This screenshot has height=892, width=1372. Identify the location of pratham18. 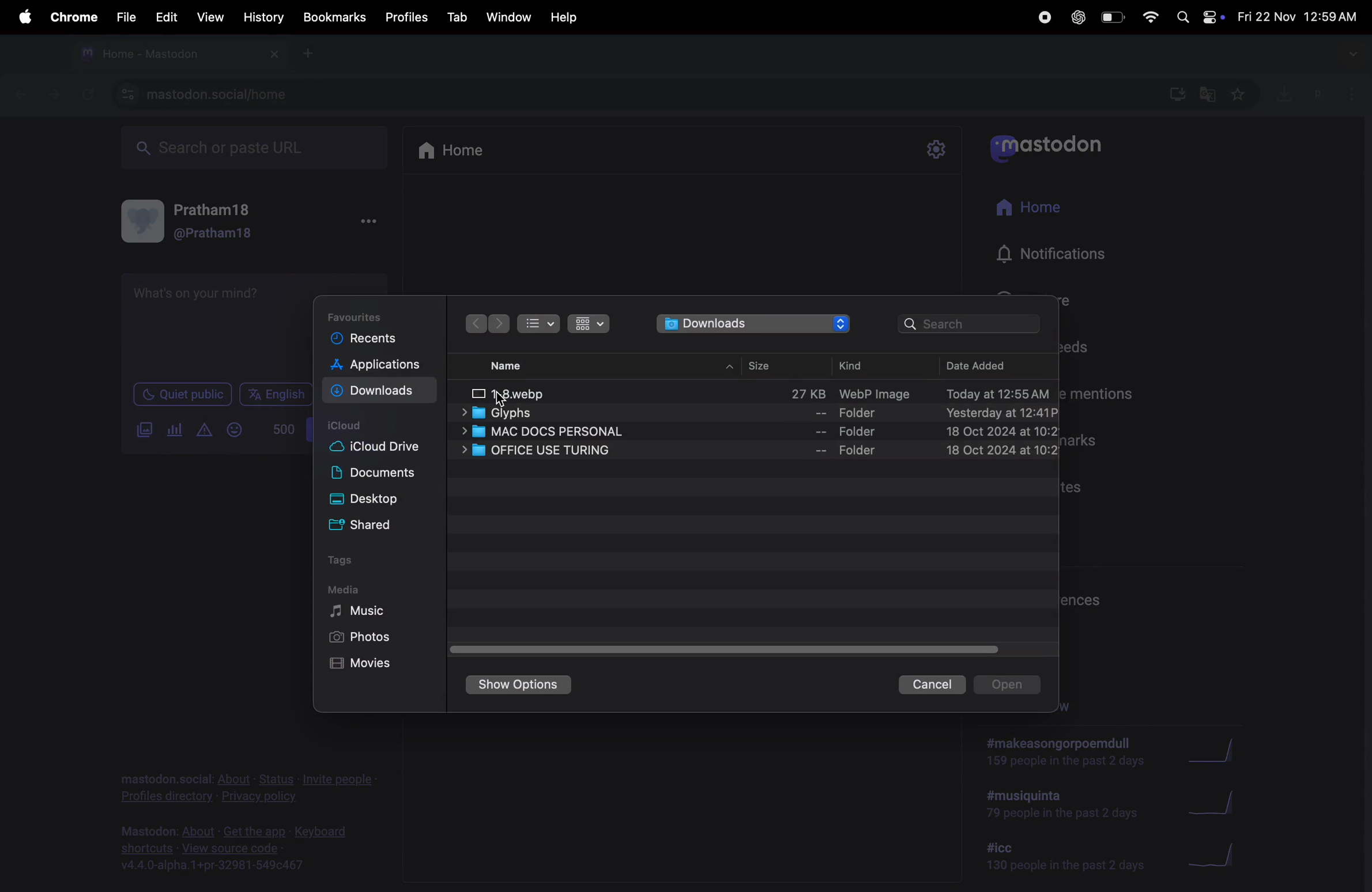
(222, 211).